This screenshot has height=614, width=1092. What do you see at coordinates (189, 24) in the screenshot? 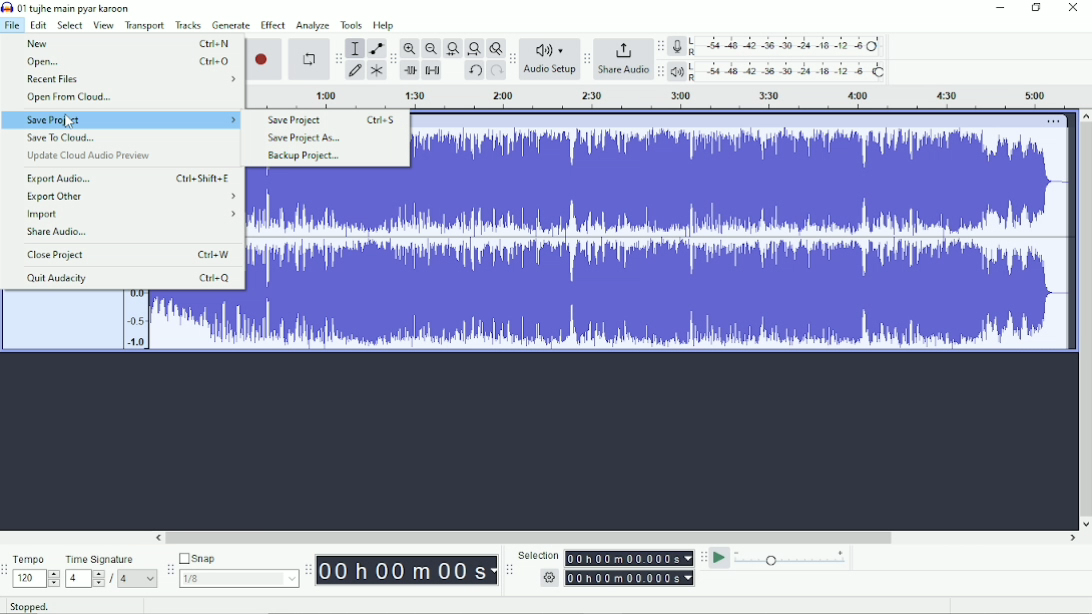
I see `Tracks` at bounding box center [189, 24].